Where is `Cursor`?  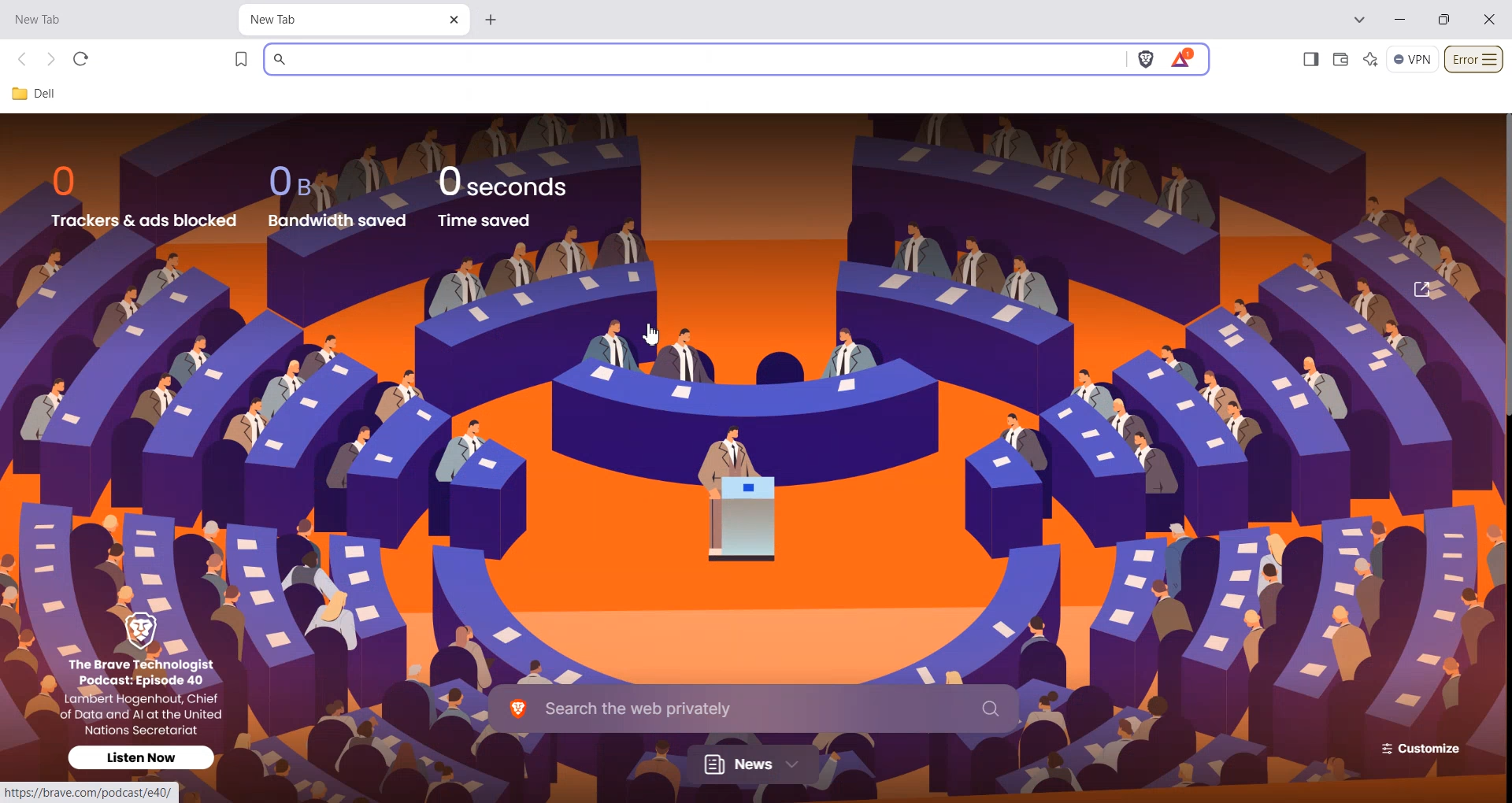
Cursor is located at coordinates (653, 331).